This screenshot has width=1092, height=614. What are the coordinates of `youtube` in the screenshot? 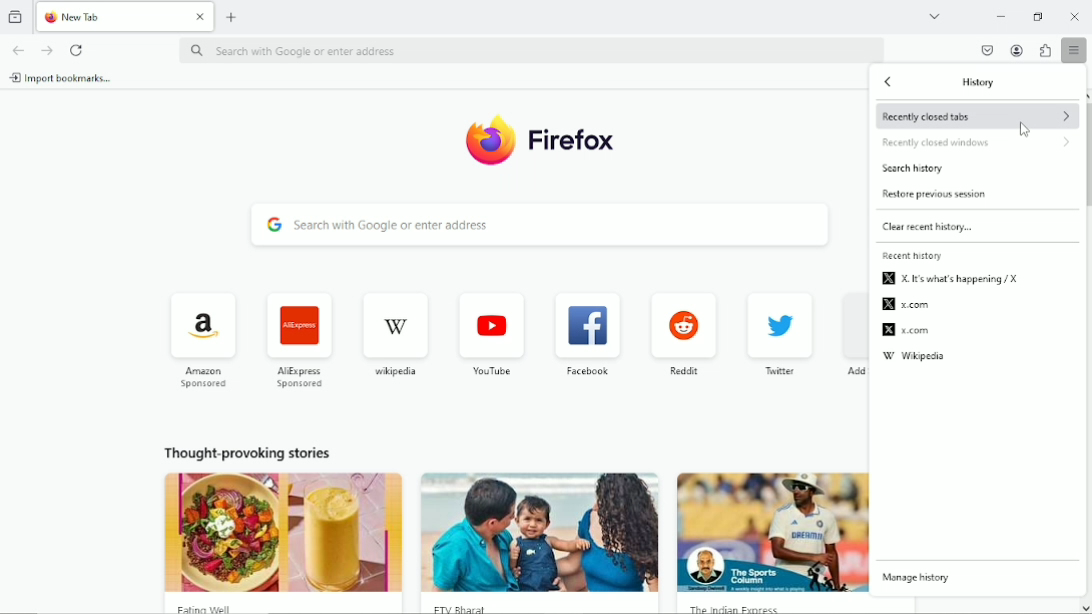 It's located at (490, 371).